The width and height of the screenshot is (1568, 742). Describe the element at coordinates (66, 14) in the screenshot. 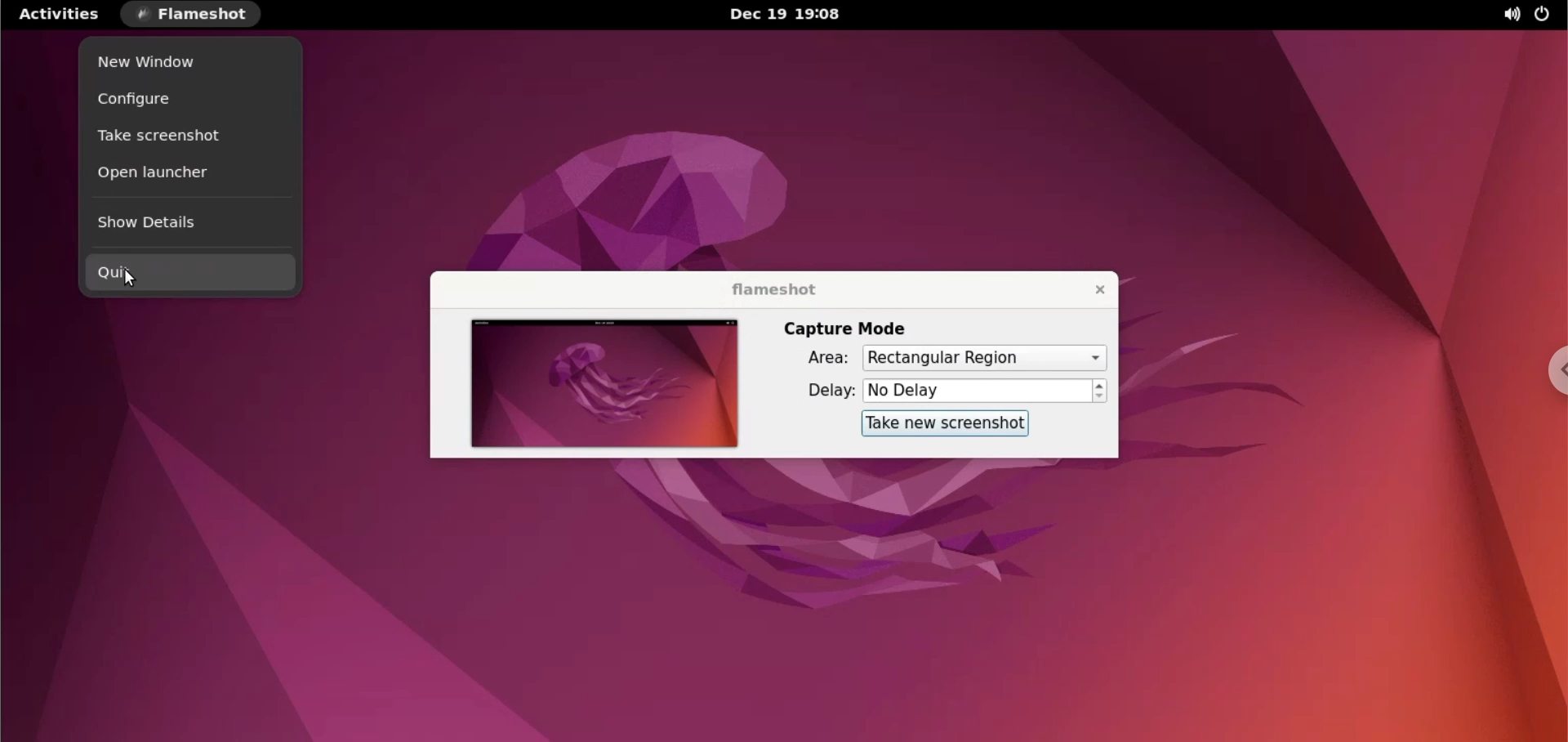

I see `activities` at that location.